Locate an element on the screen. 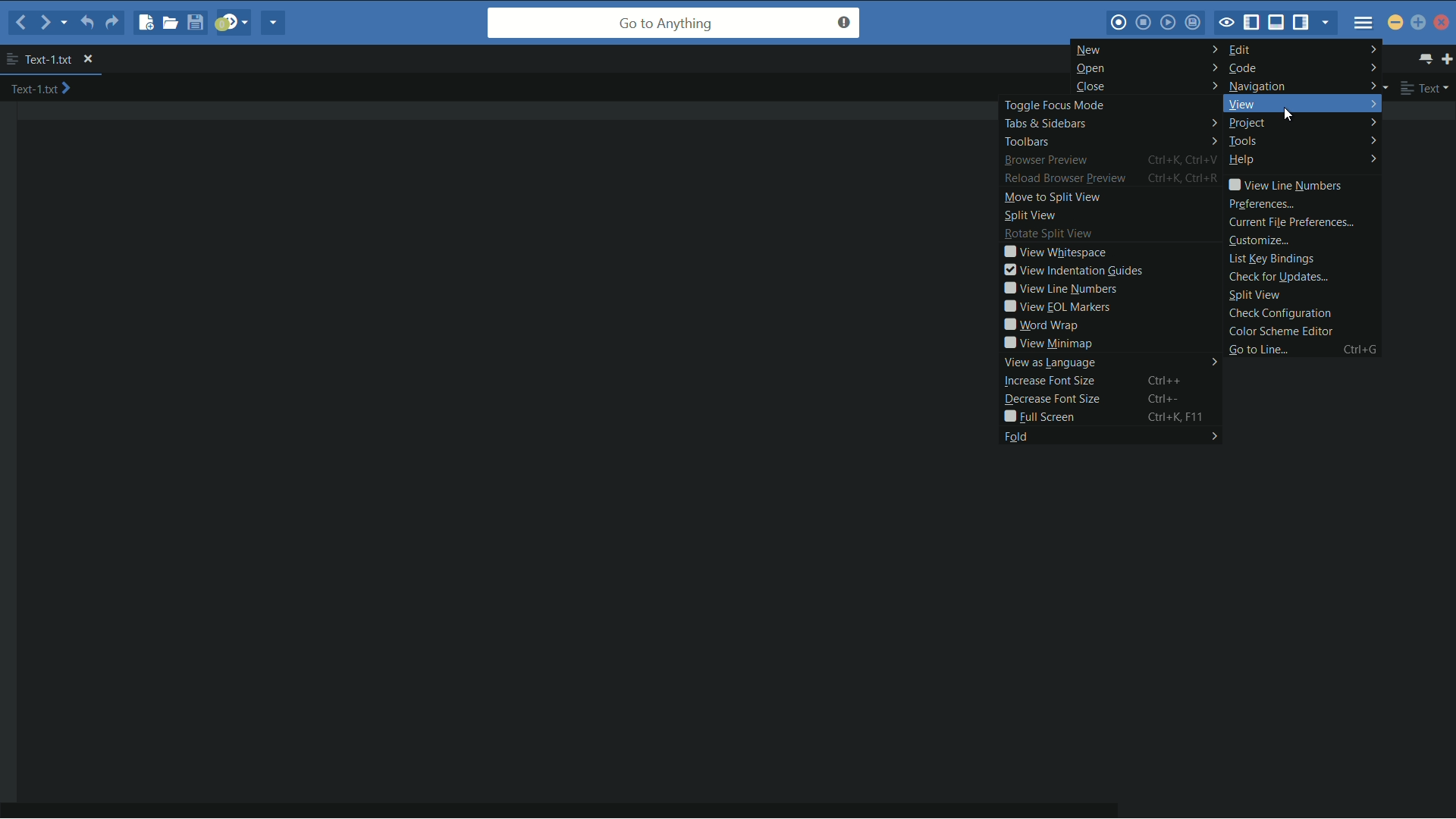 The image size is (1456, 819). redo is located at coordinates (113, 24).